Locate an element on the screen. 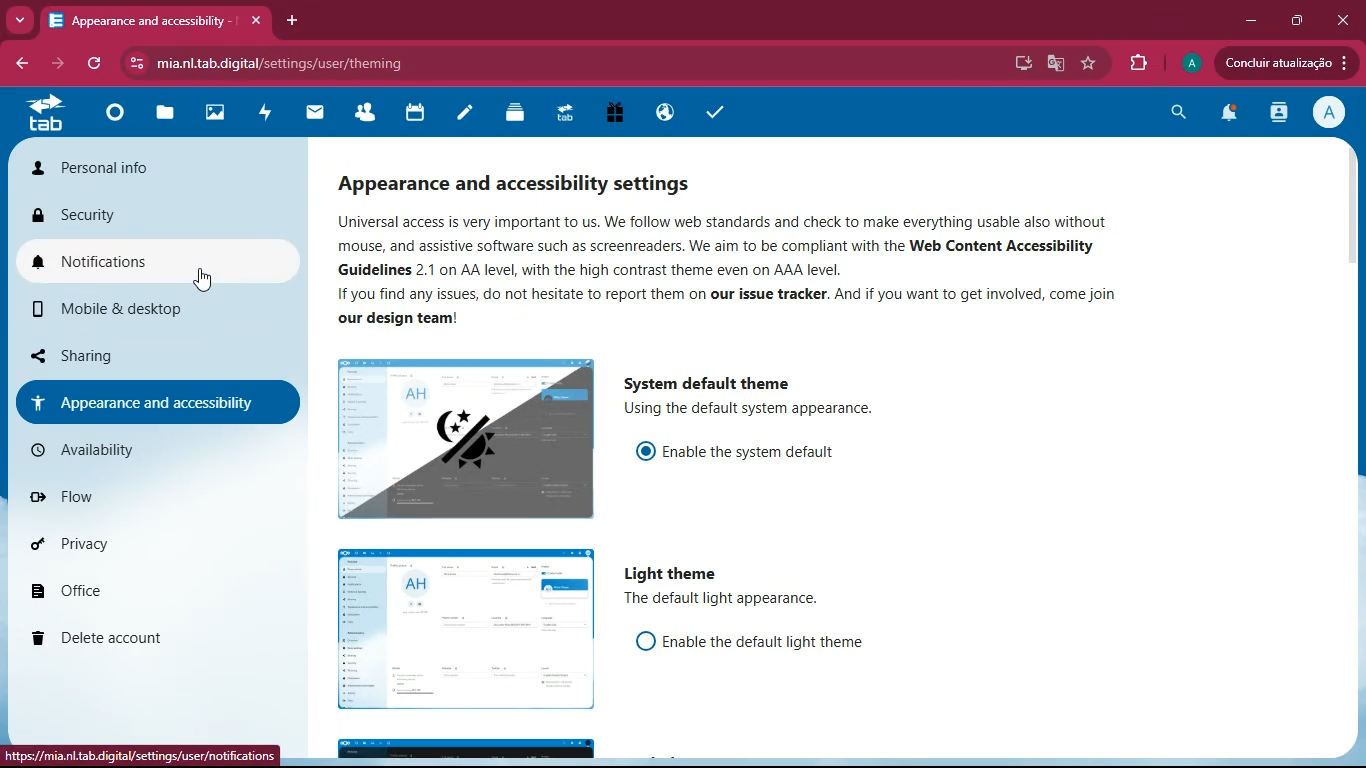 The width and height of the screenshot is (1366, 768). tab is located at coordinates (567, 114).